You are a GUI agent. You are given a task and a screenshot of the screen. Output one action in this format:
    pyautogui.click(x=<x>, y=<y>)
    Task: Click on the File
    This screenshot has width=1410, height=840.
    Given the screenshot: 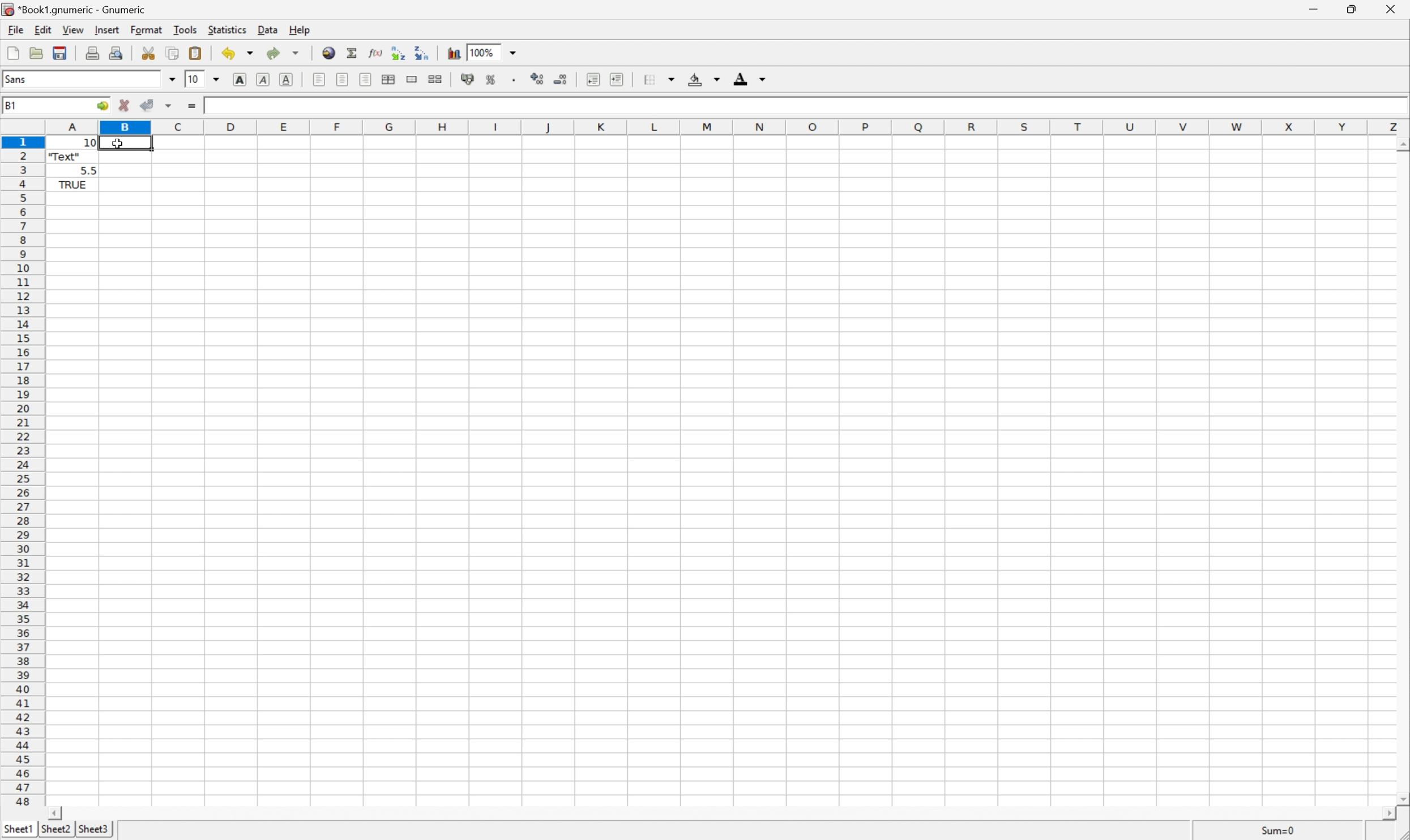 What is the action you would take?
    pyautogui.click(x=14, y=28)
    